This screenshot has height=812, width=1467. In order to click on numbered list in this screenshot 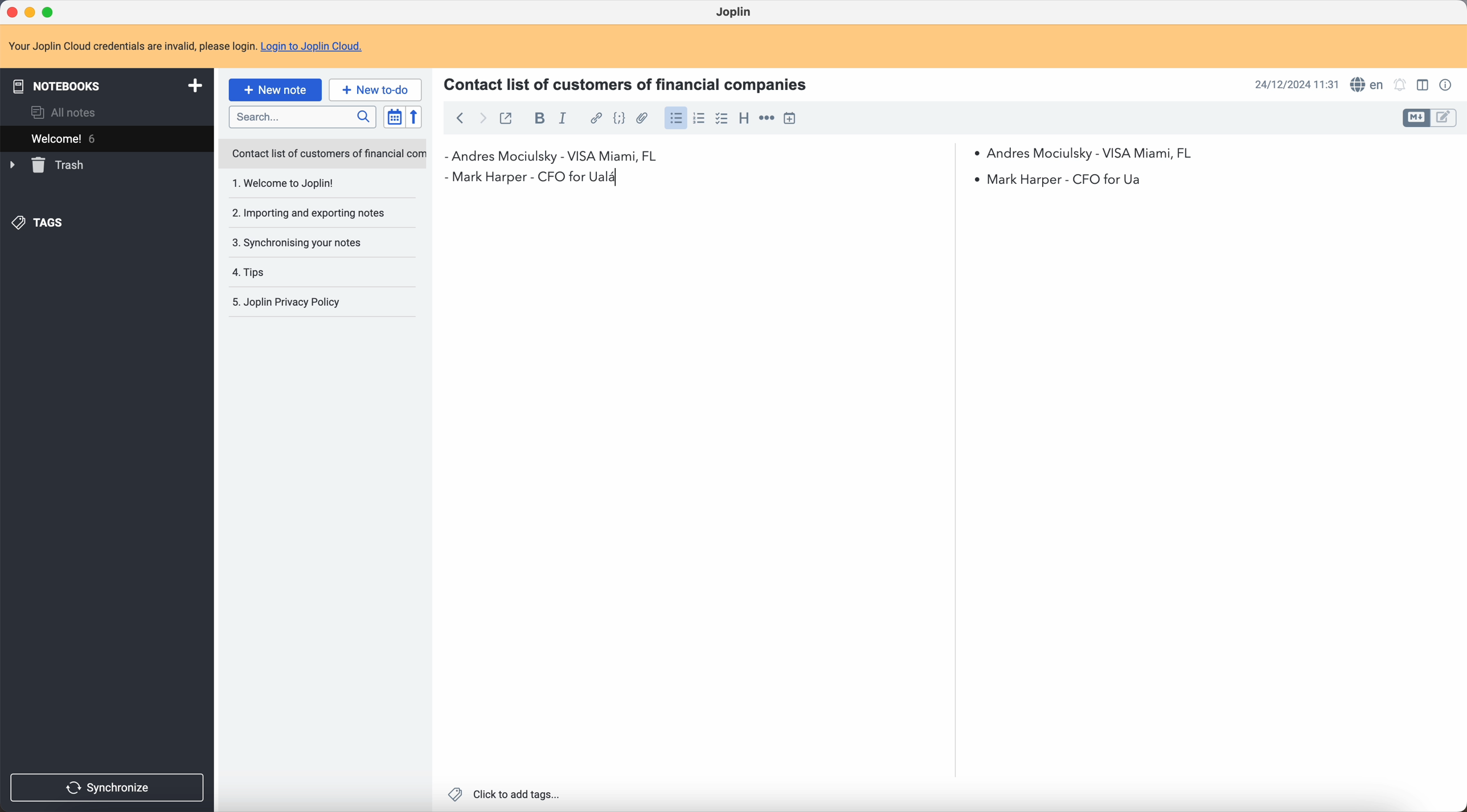, I will do `click(700, 118)`.